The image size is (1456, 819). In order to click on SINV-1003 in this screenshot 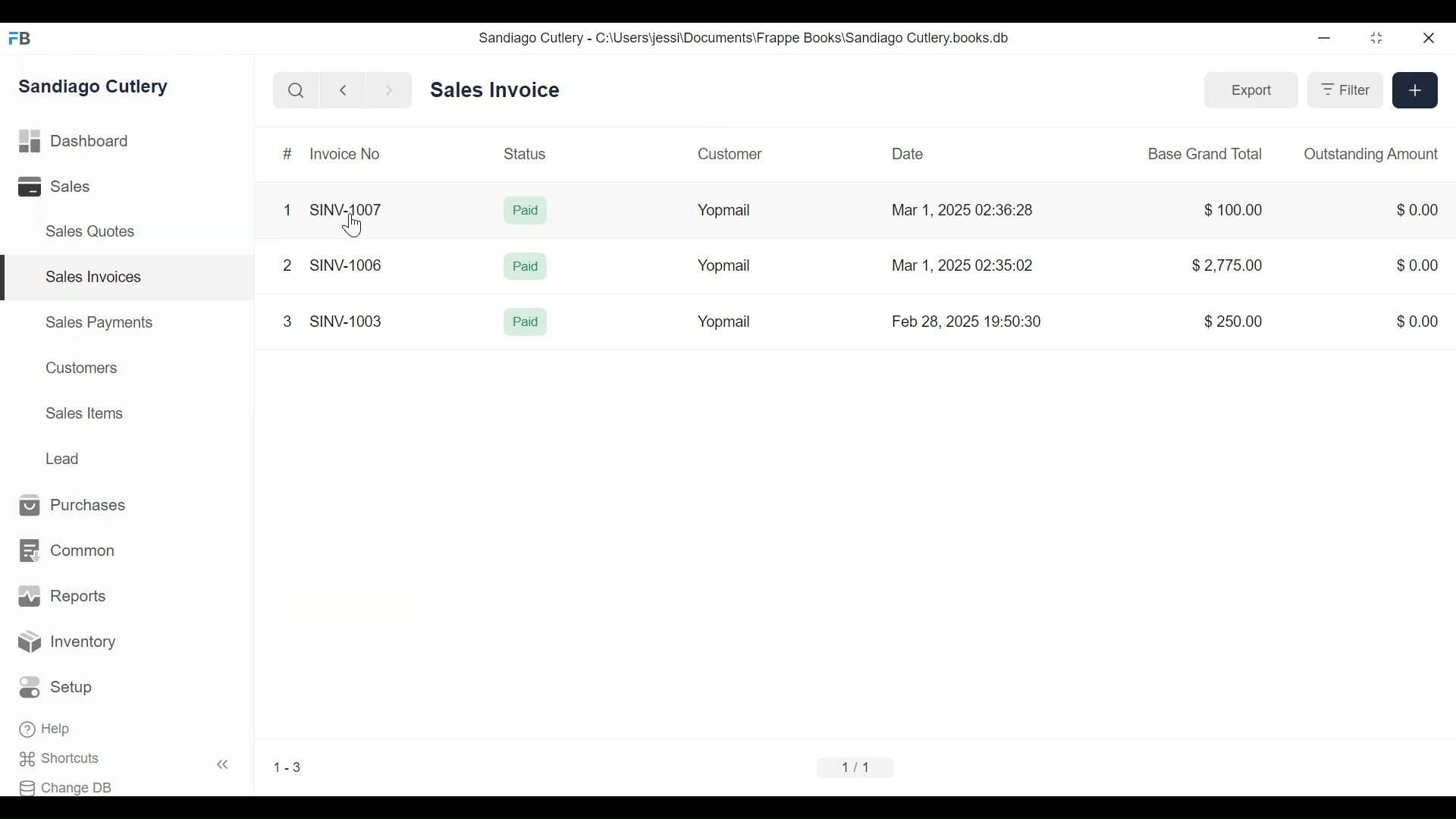, I will do `click(346, 321)`.